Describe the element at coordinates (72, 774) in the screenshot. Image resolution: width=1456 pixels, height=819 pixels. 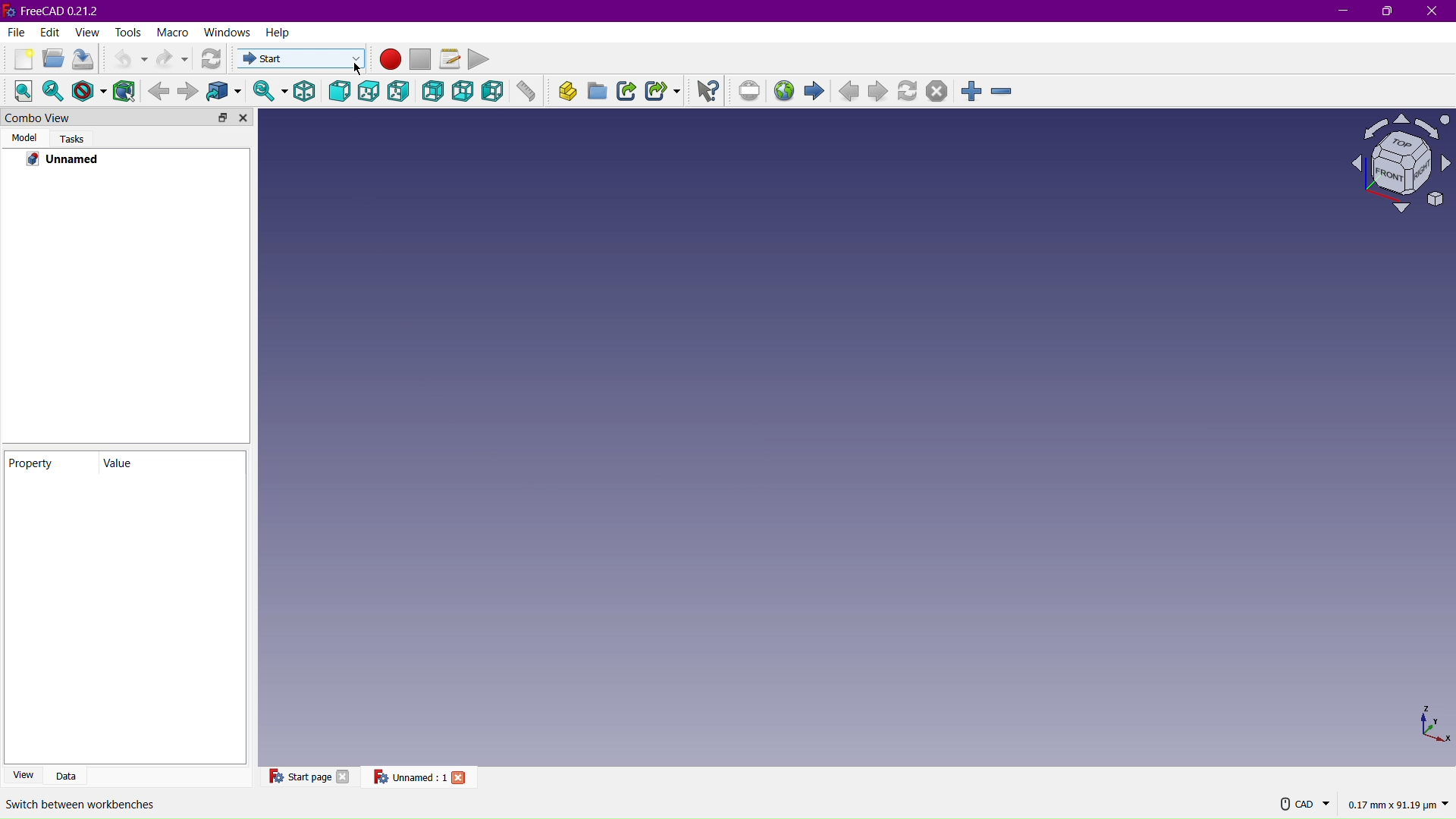
I see `Data` at that location.